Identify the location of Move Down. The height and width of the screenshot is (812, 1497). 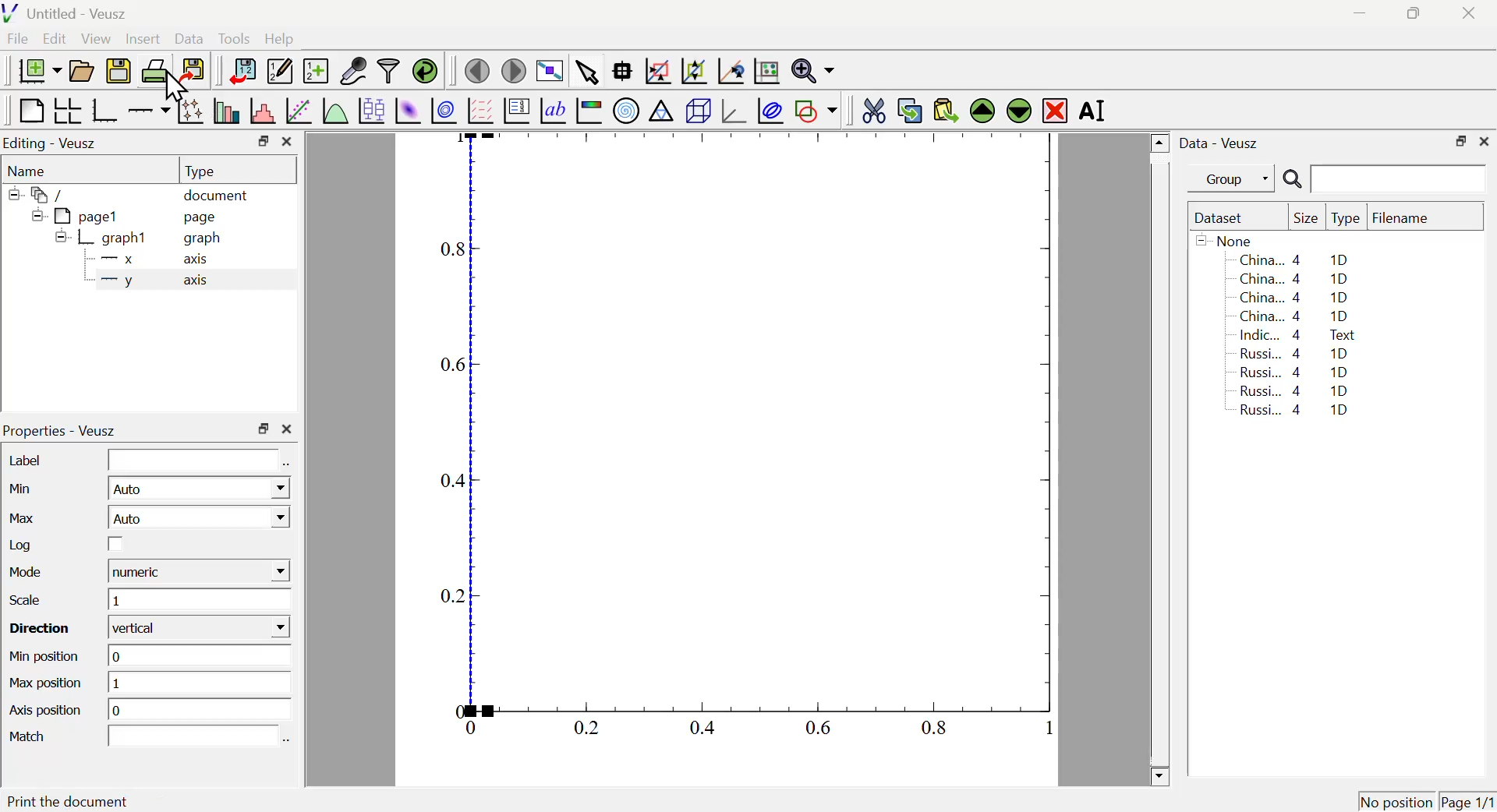
(1018, 110).